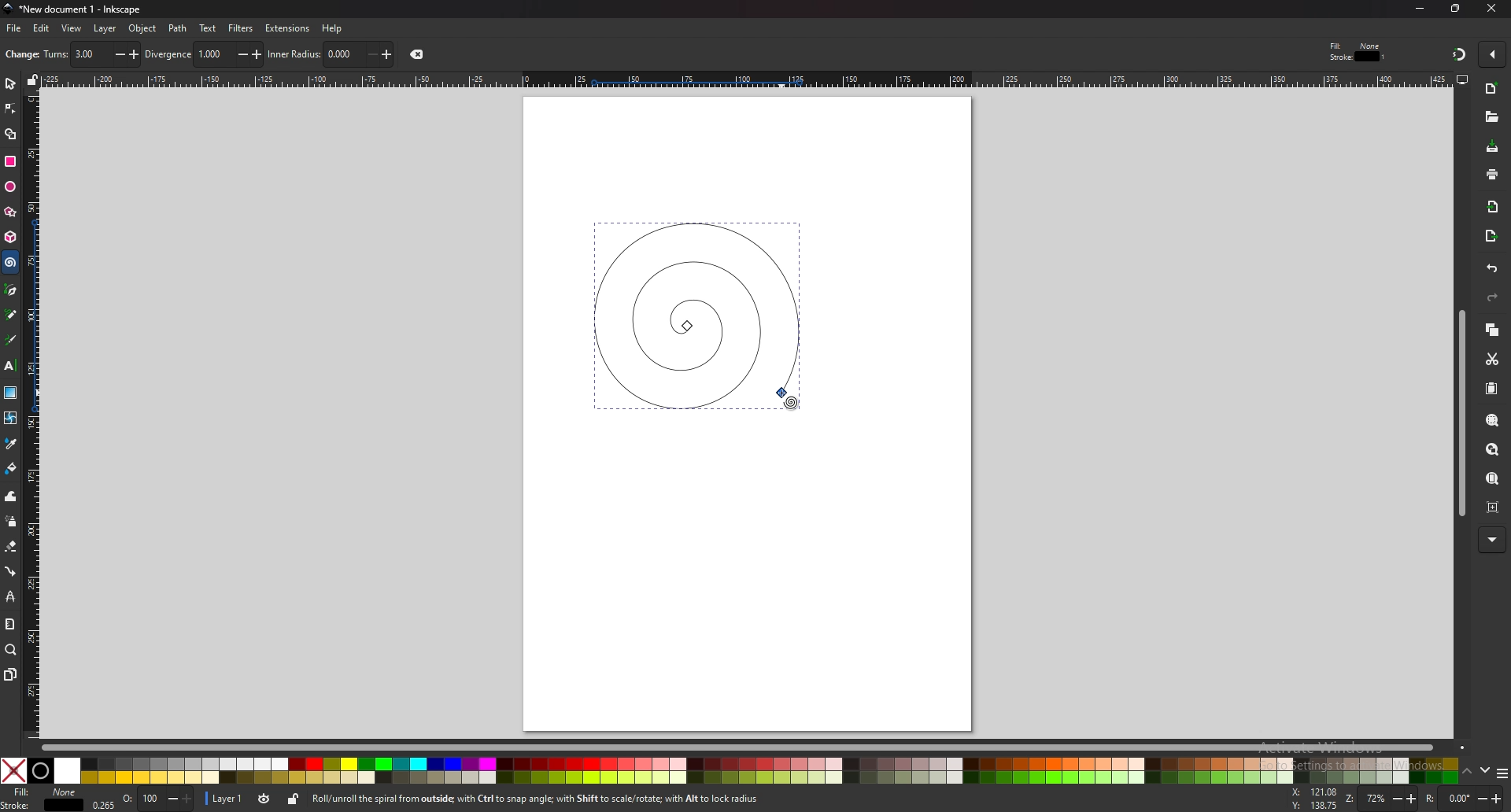  Describe the element at coordinates (144, 28) in the screenshot. I see `object` at that location.